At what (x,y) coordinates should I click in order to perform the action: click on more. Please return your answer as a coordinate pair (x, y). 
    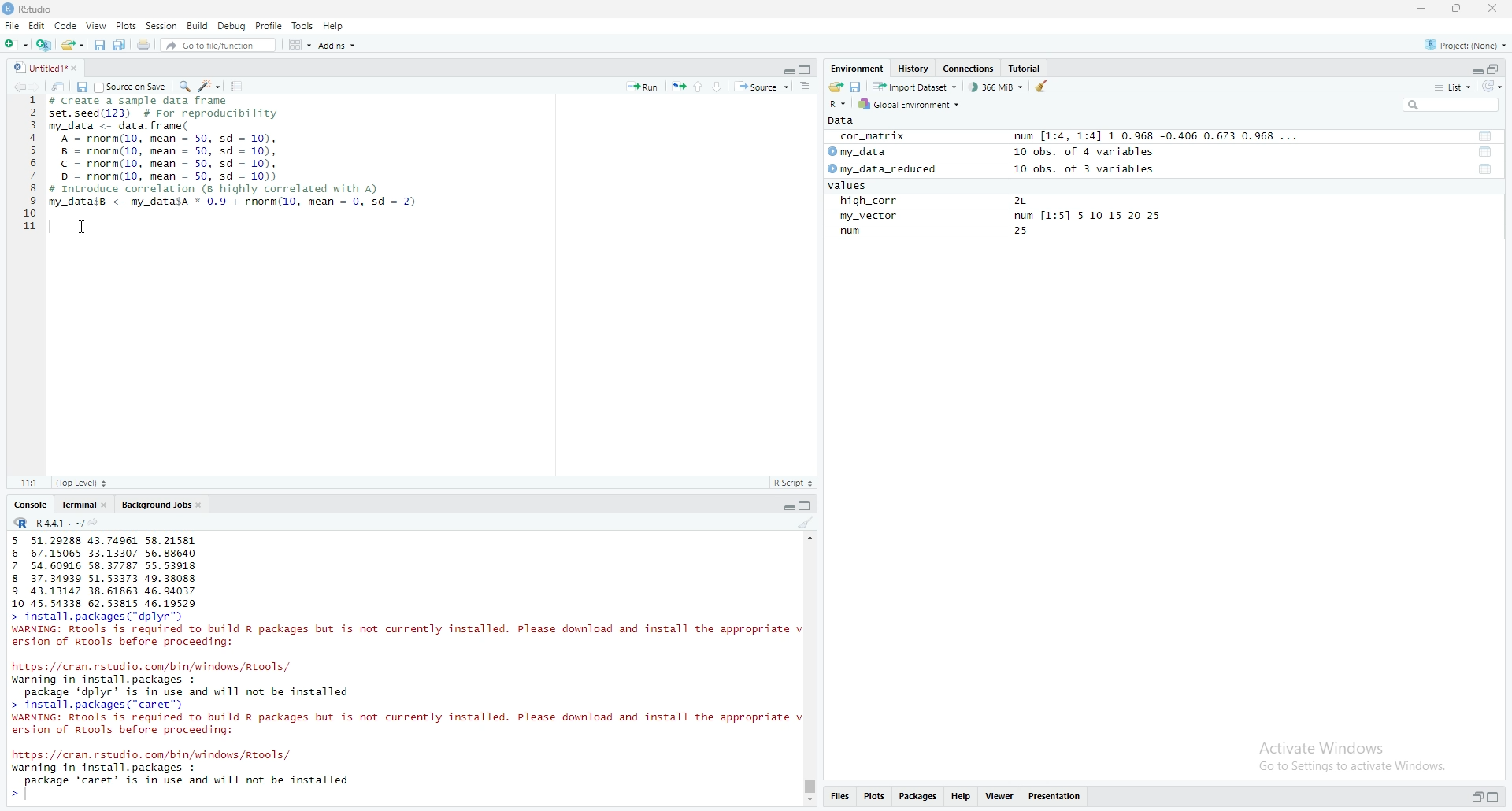
    Looking at the image, I should click on (806, 86).